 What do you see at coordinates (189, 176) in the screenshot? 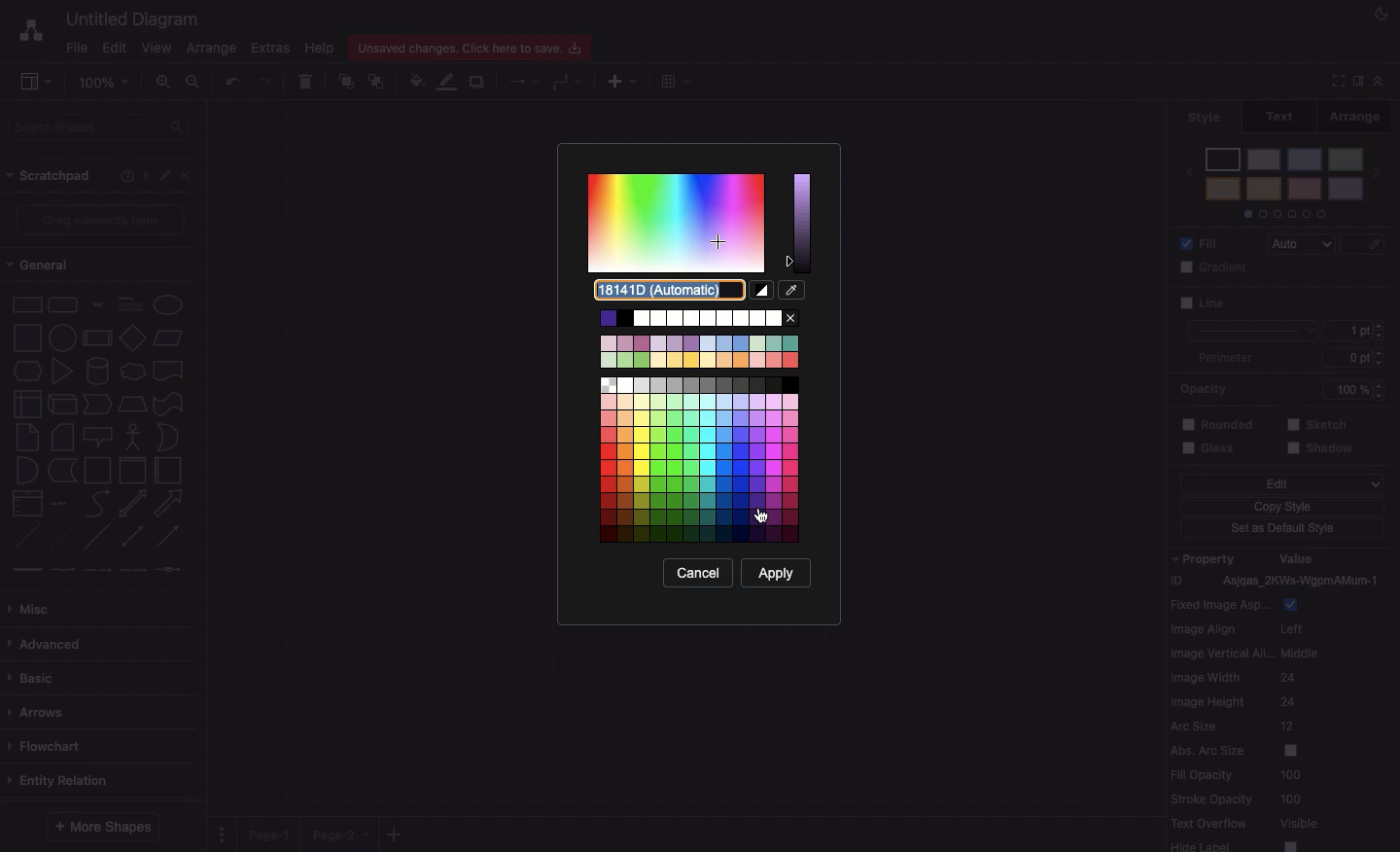
I see `Close` at bounding box center [189, 176].